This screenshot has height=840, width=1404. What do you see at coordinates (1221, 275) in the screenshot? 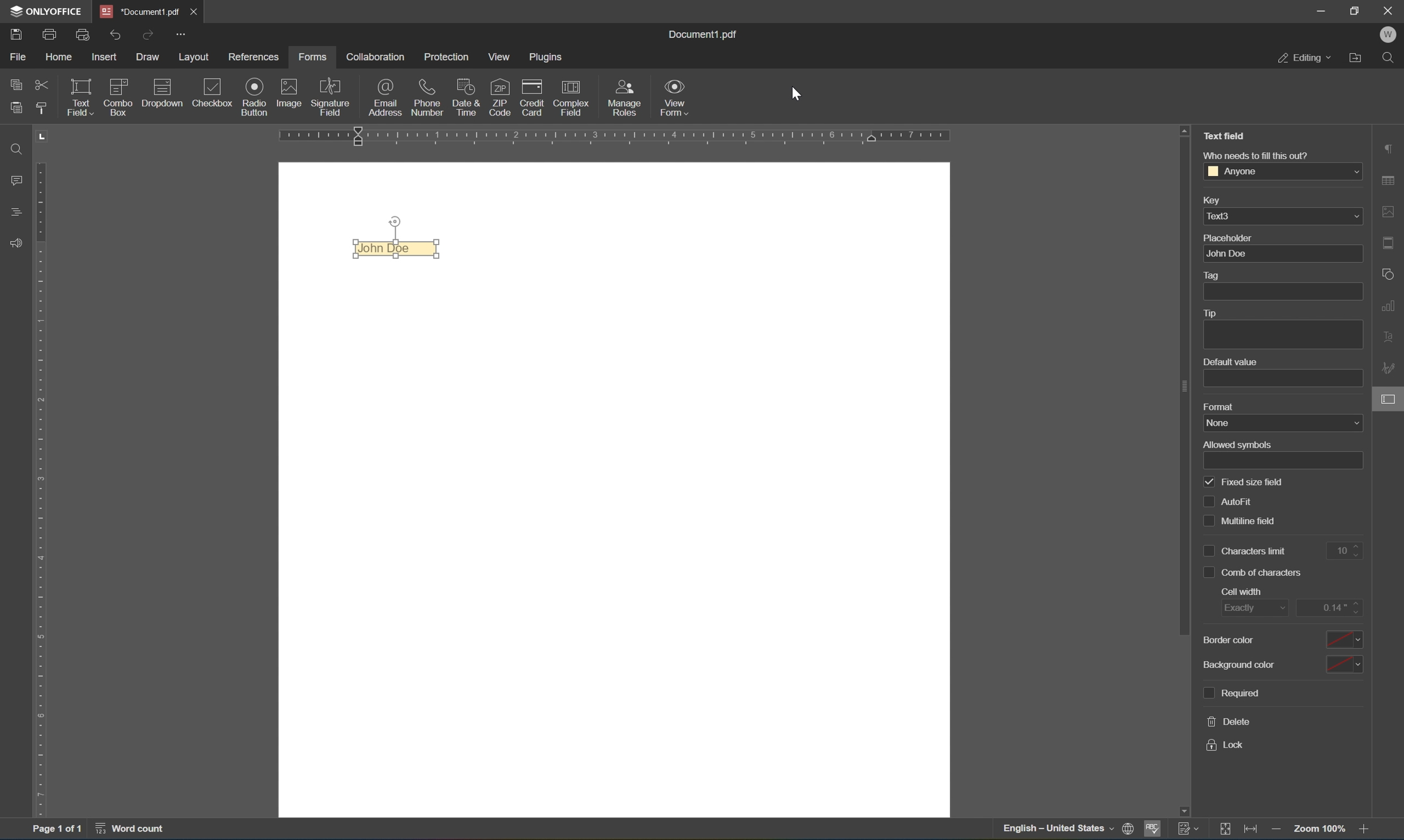
I see `tag` at bounding box center [1221, 275].